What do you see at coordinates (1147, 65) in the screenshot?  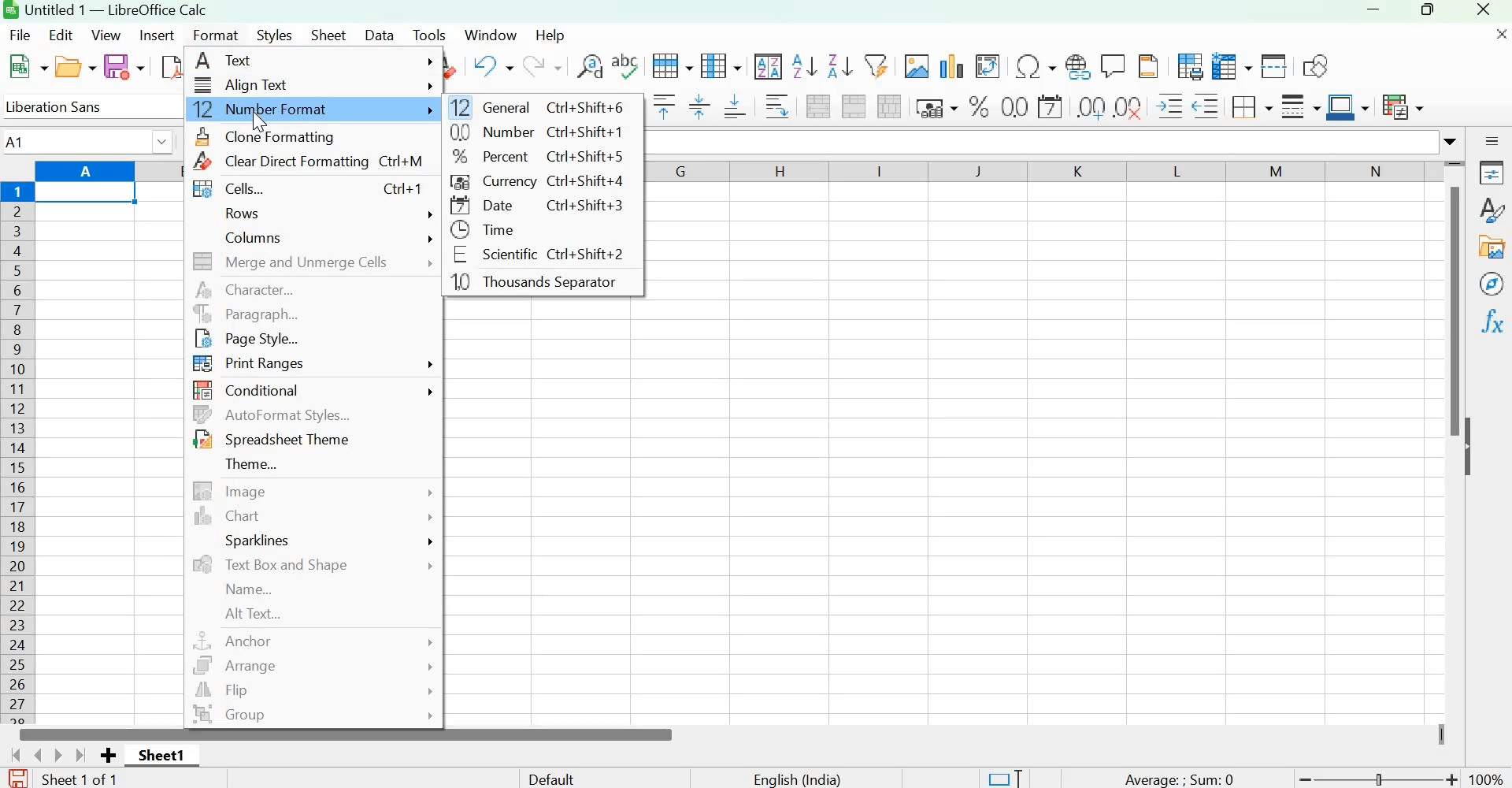 I see `Headers and Footers` at bounding box center [1147, 65].